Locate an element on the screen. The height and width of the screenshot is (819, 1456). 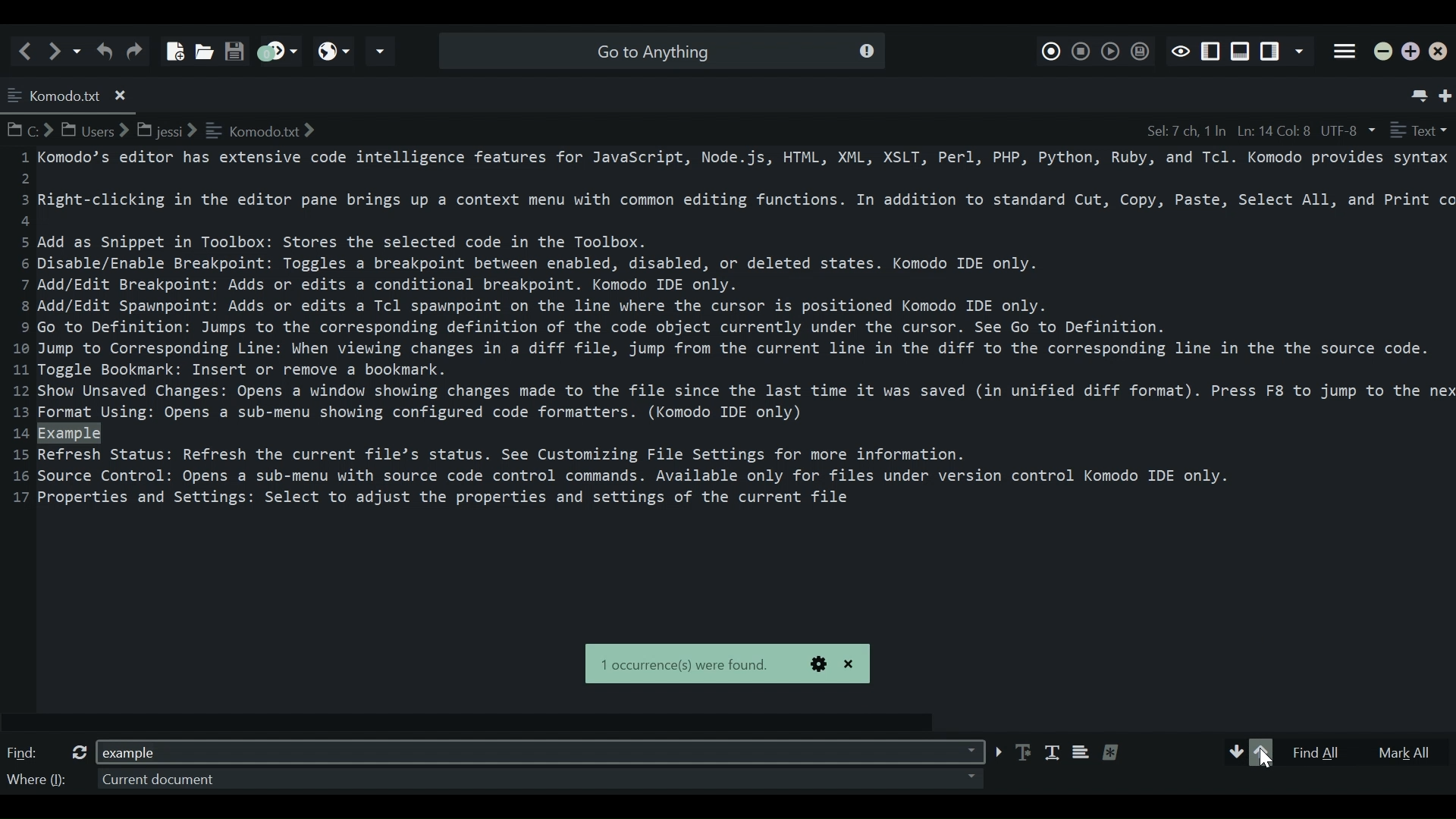
View in browser is located at coordinates (334, 51).